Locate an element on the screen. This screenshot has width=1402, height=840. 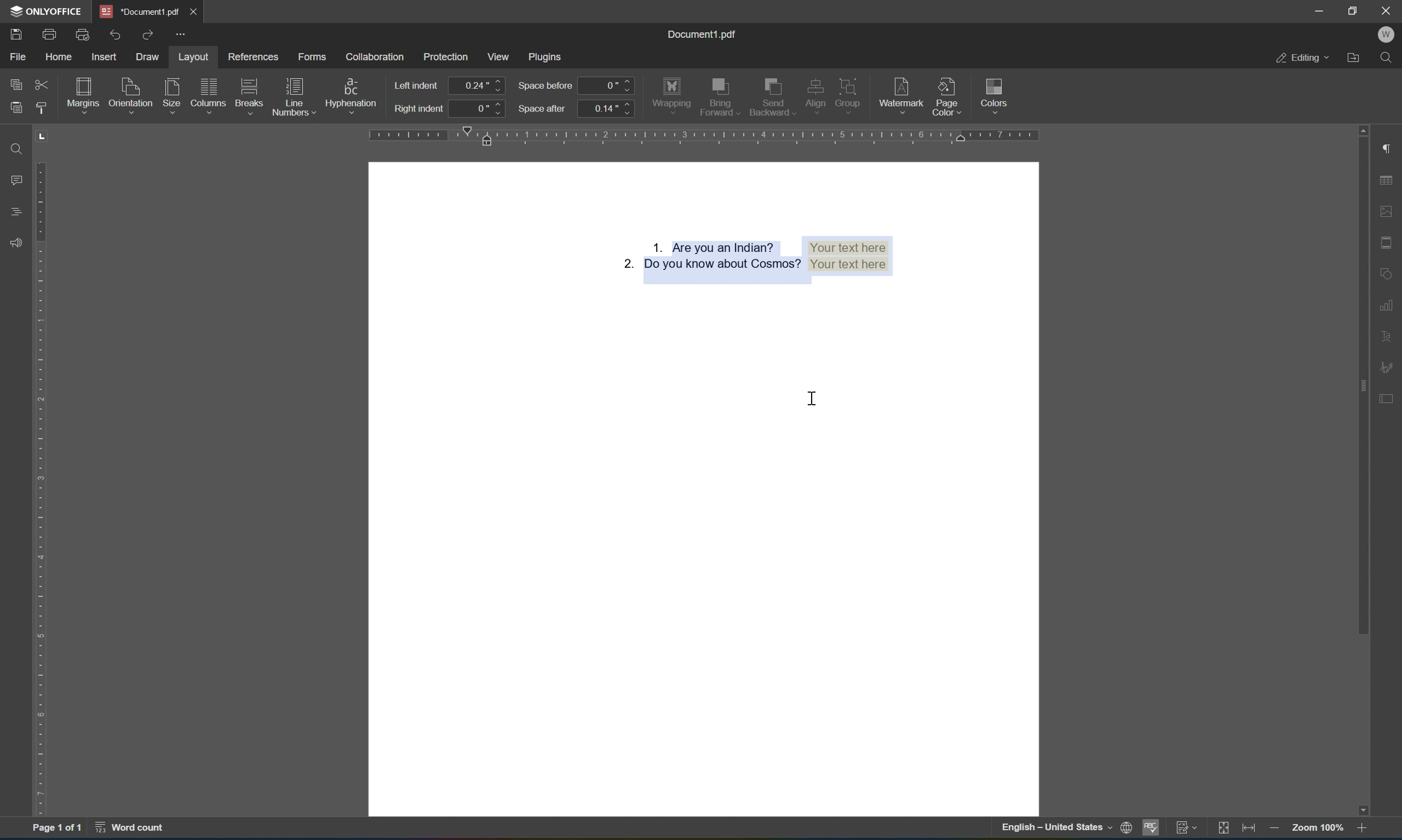
editing is located at coordinates (1302, 58).